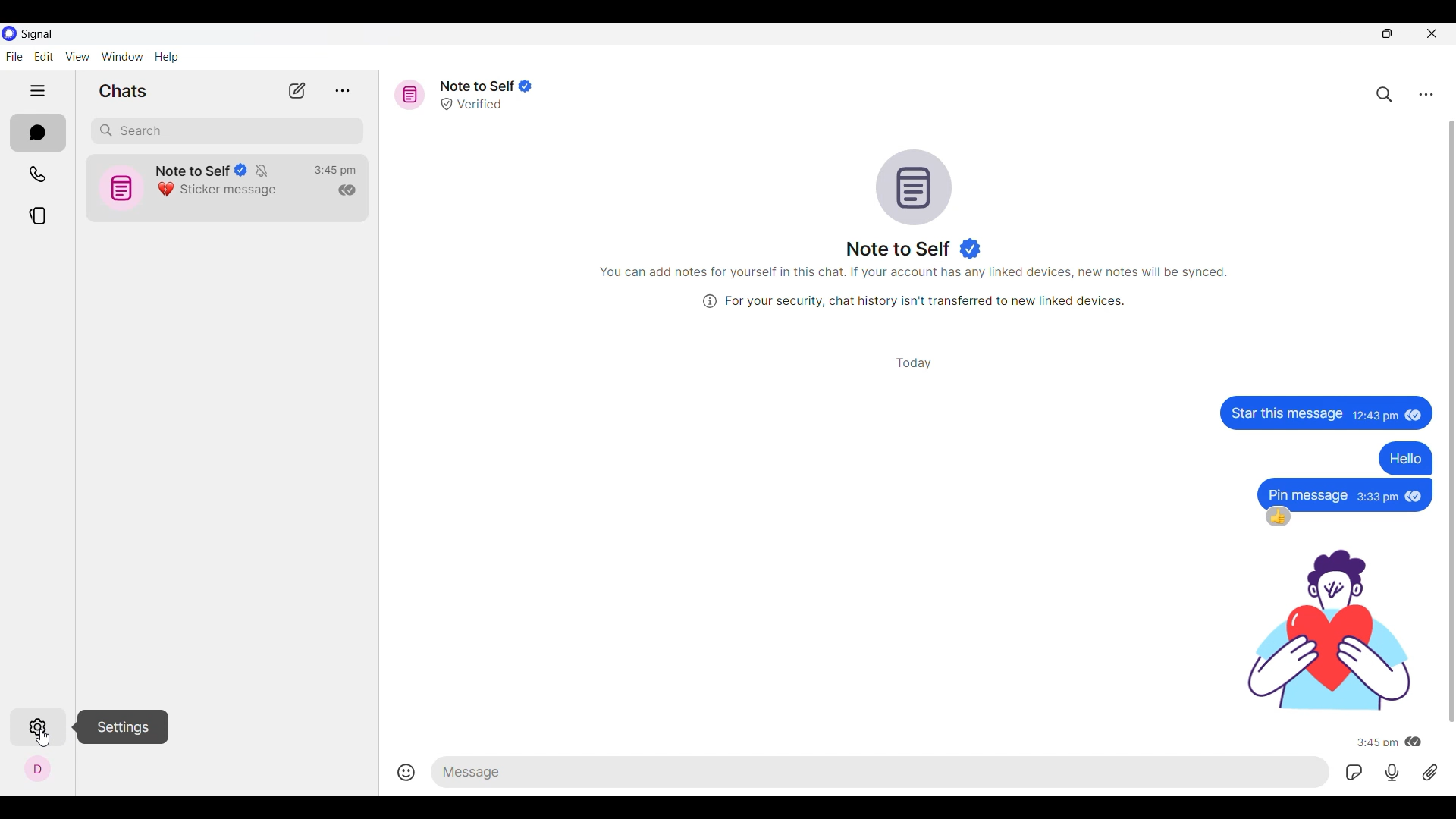 The image size is (1456, 819). I want to click on View archive, so click(342, 91).